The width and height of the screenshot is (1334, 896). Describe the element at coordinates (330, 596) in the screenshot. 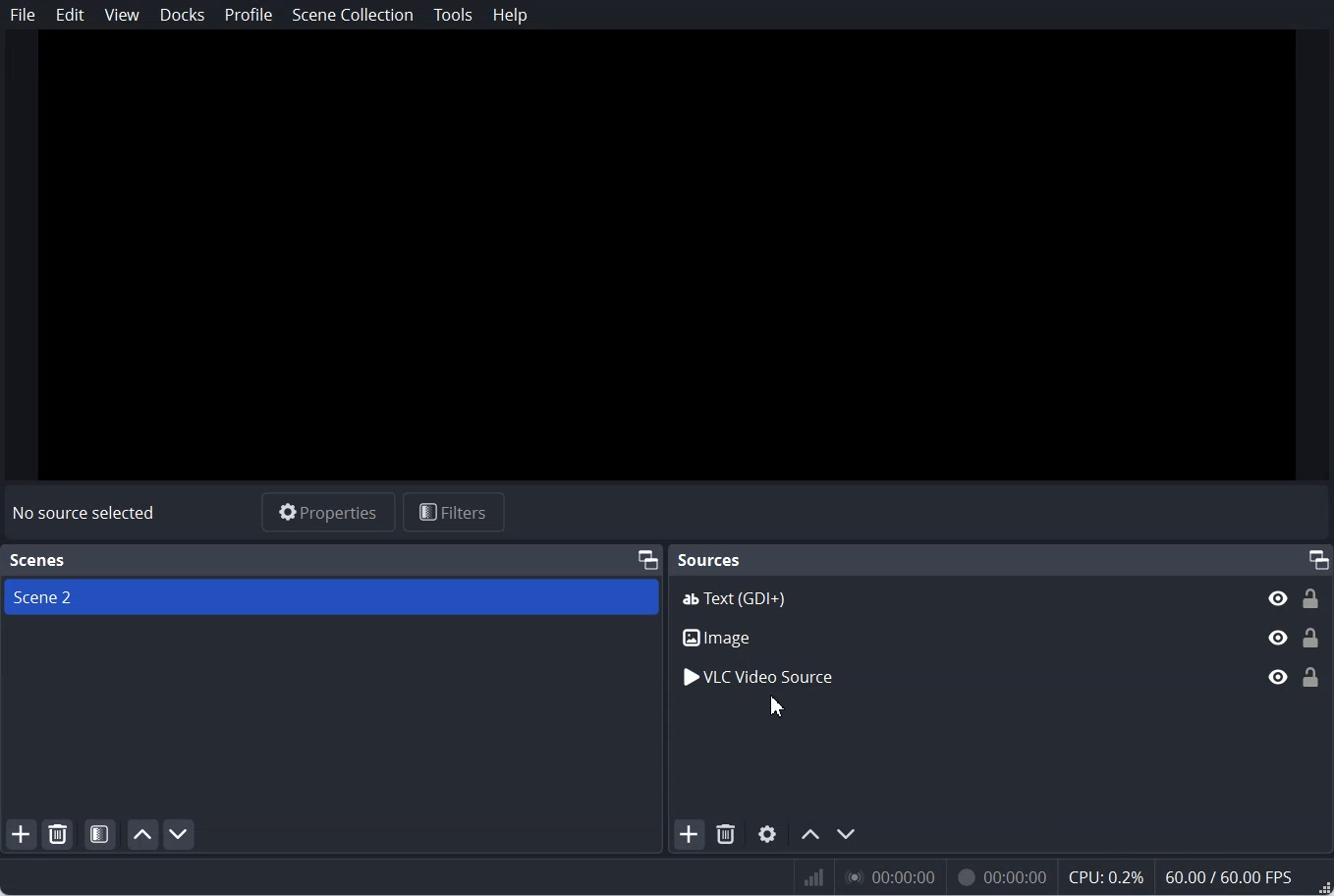

I see `Scene` at that location.